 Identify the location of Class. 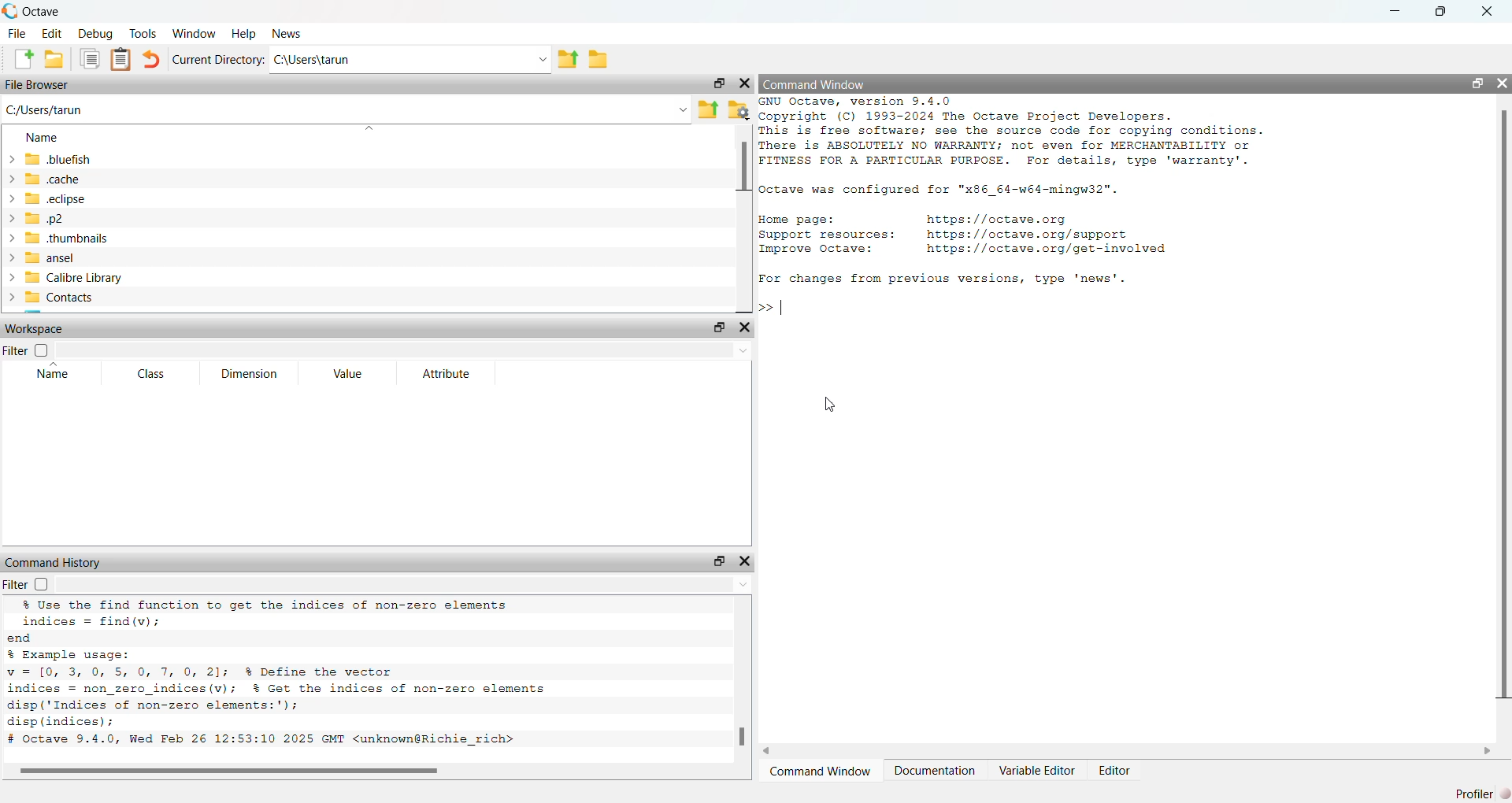
(155, 375).